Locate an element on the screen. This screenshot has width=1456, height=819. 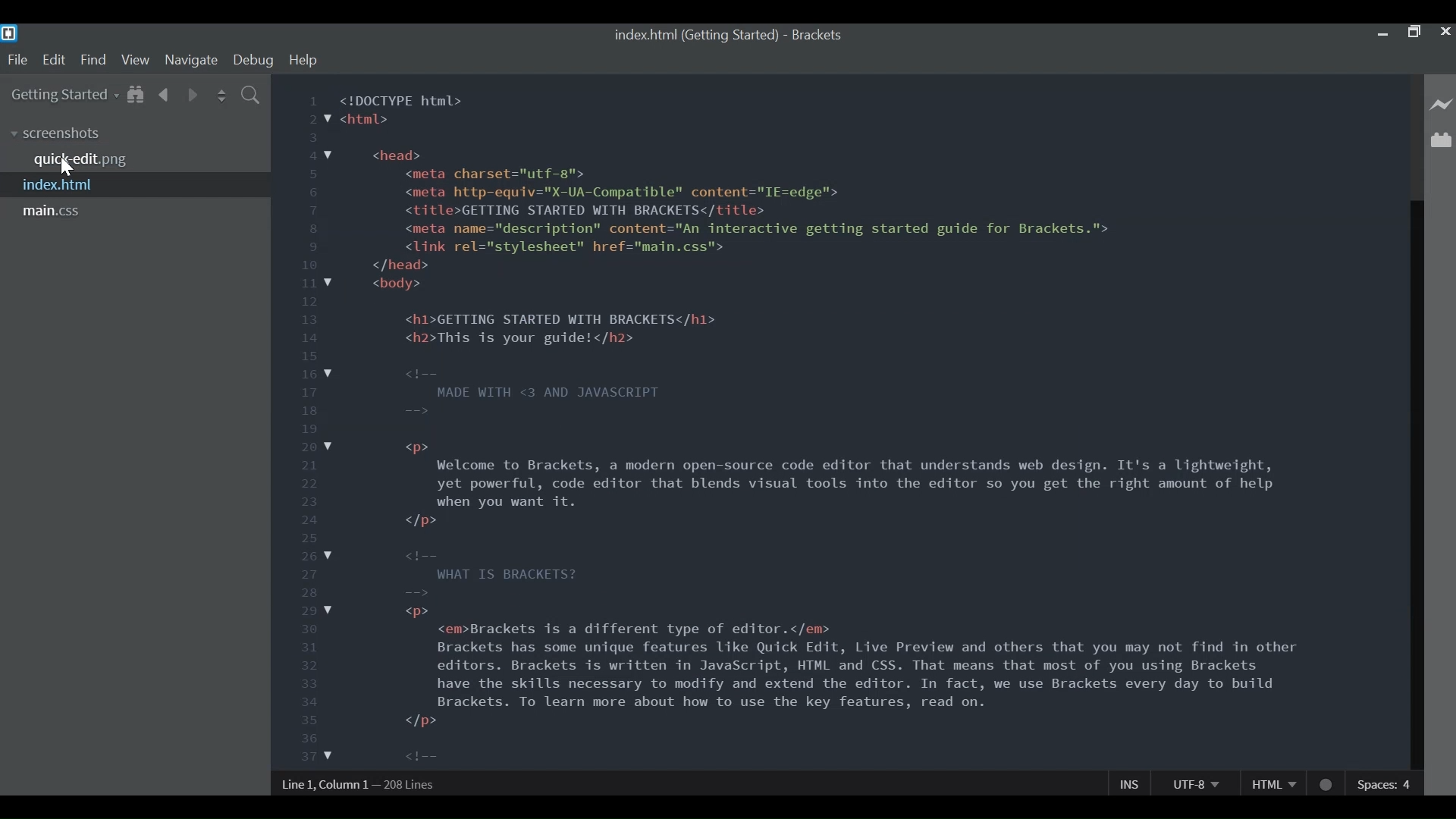
Split the Editor Vertically or Horizontally is located at coordinates (220, 95).